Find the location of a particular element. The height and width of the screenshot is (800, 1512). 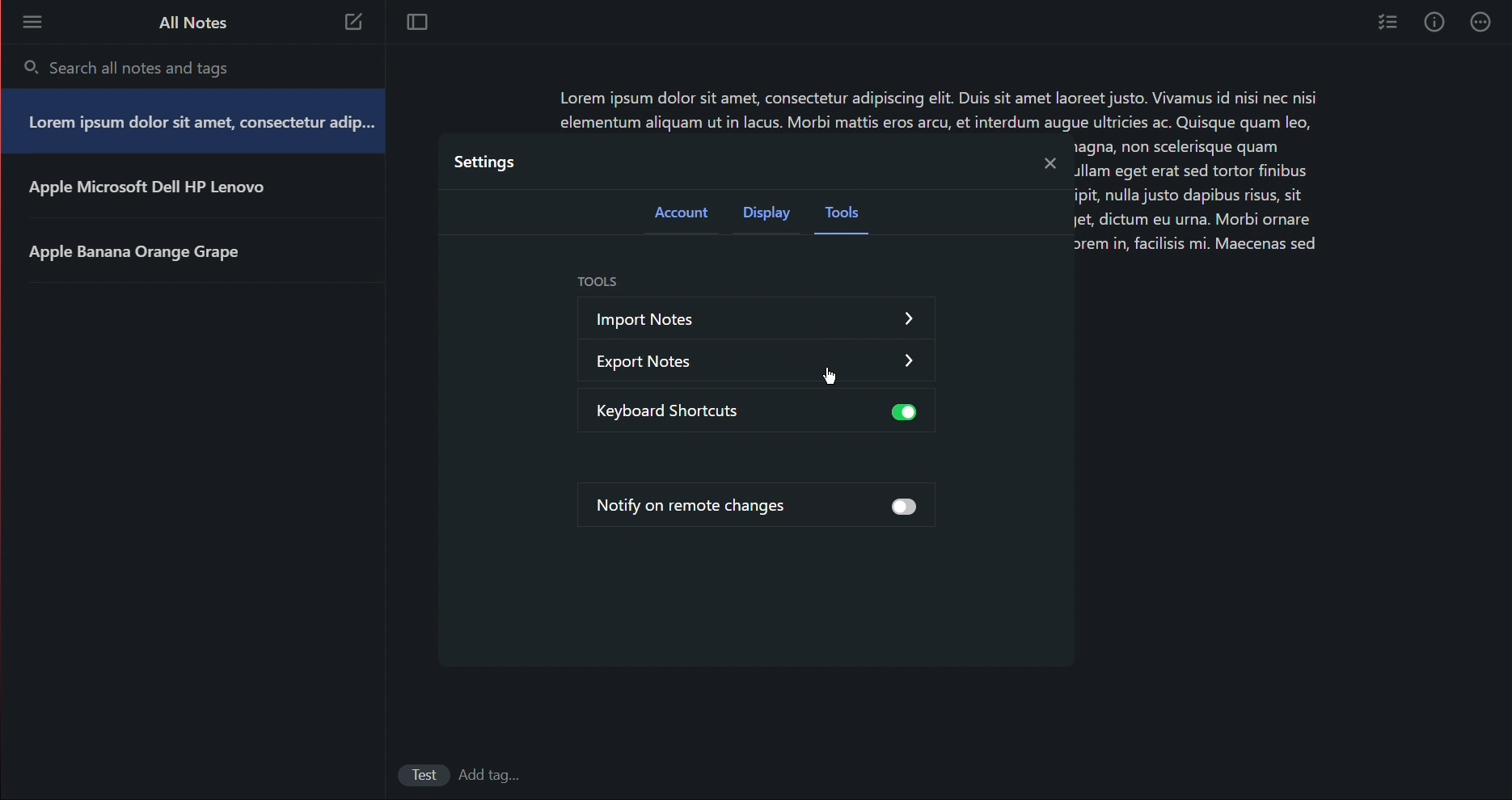

dropdown is located at coordinates (911, 359).